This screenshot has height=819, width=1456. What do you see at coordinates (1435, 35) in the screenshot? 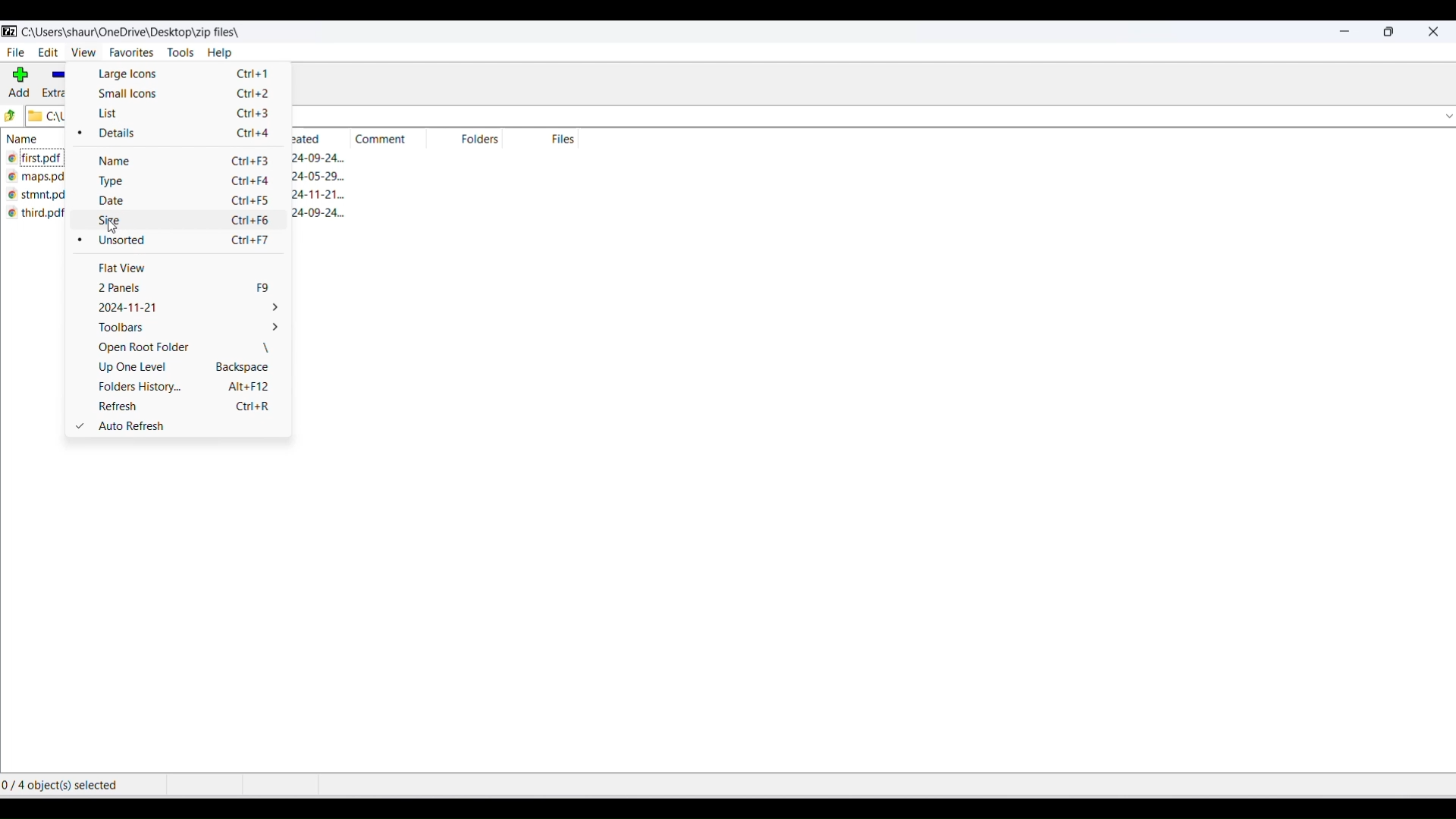
I see `close` at bounding box center [1435, 35].